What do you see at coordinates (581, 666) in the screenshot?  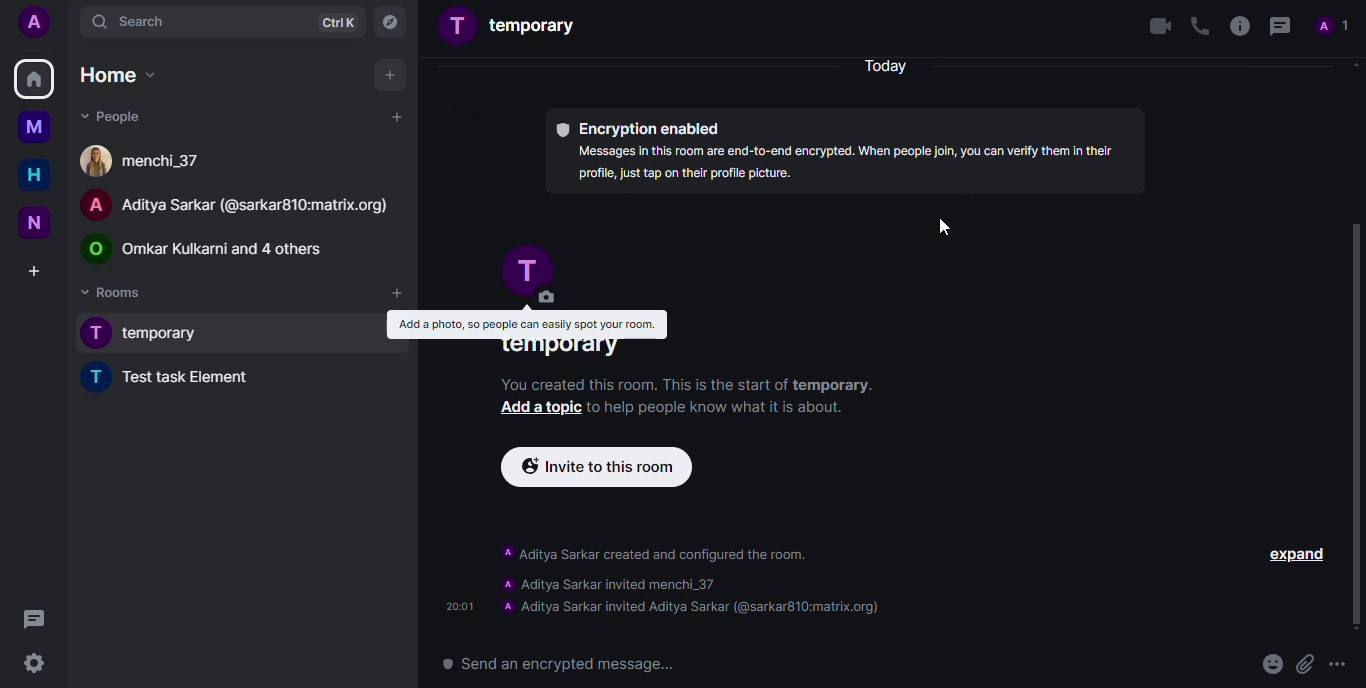 I see `send` at bounding box center [581, 666].